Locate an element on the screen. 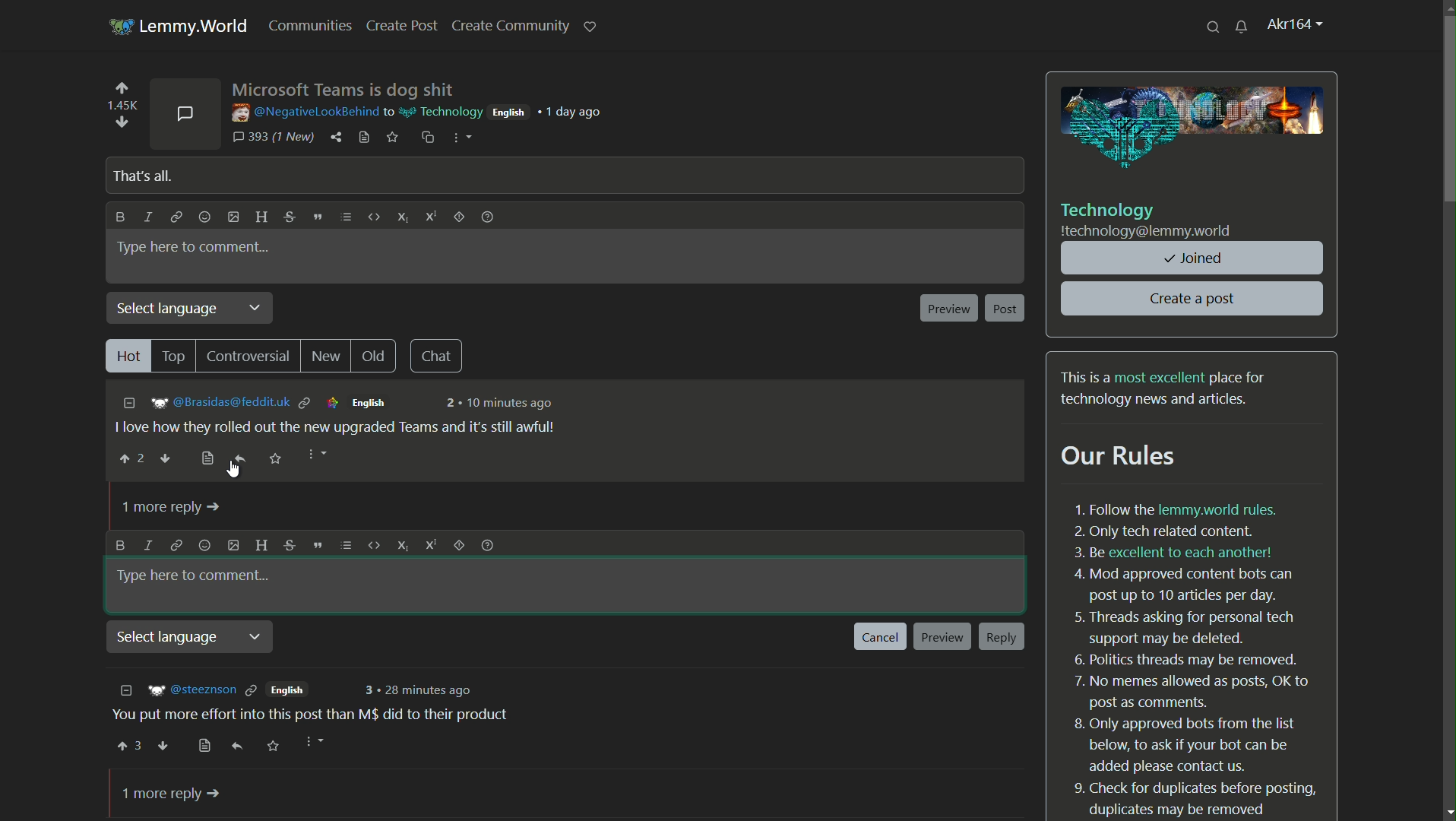 This screenshot has height=821, width=1456. quote is located at coordinates (315, 545).